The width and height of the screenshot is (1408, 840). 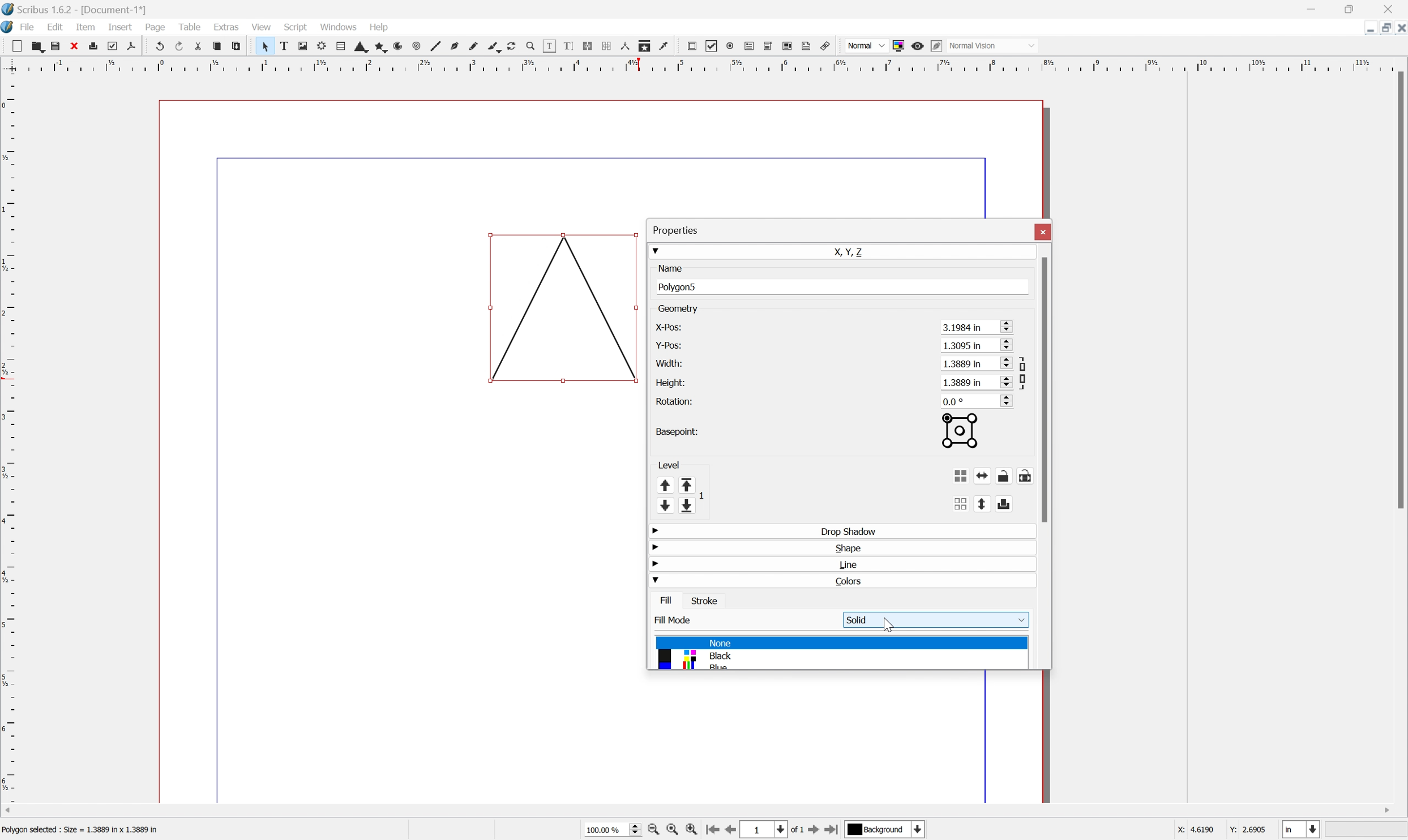 What do you see at coordinates (75, 45) in the screenshot?
I see `Close` at bounding box center [75, 45].